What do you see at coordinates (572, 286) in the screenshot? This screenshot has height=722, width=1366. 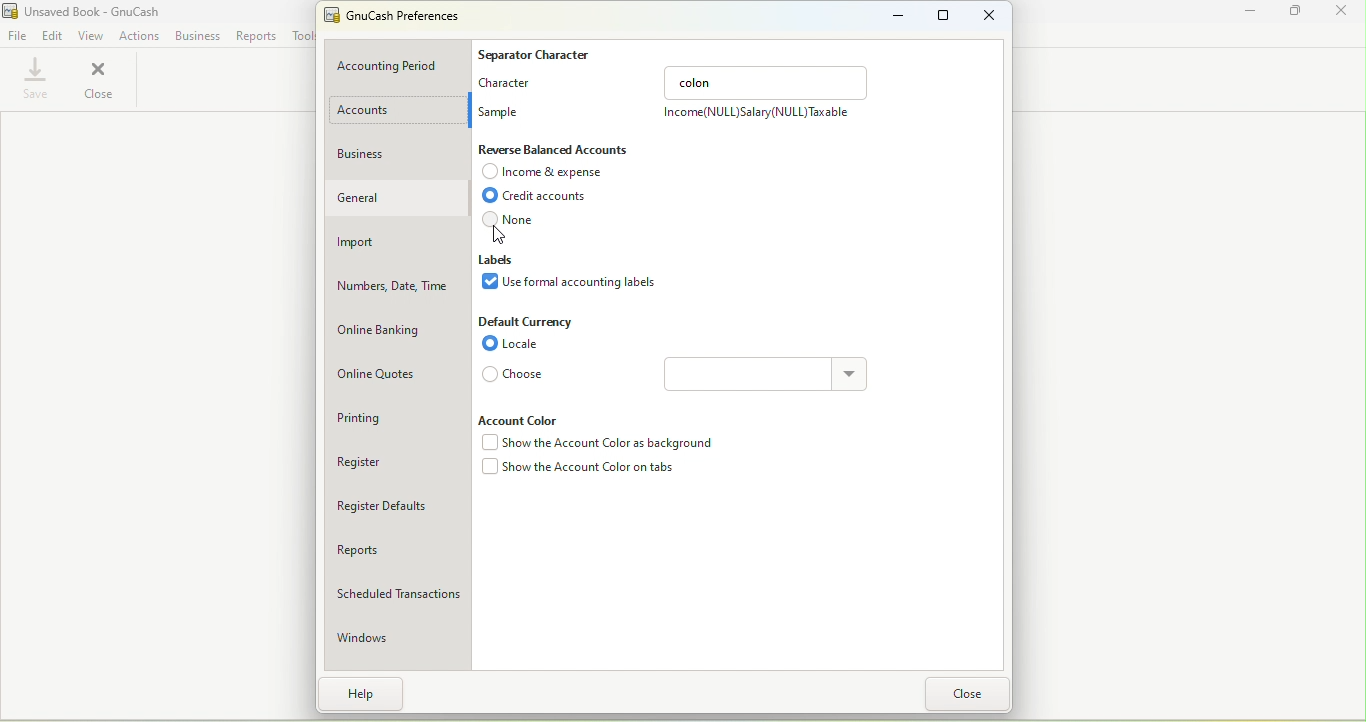 I see `Use formal accounting labels` at bounding box center [572, 286].